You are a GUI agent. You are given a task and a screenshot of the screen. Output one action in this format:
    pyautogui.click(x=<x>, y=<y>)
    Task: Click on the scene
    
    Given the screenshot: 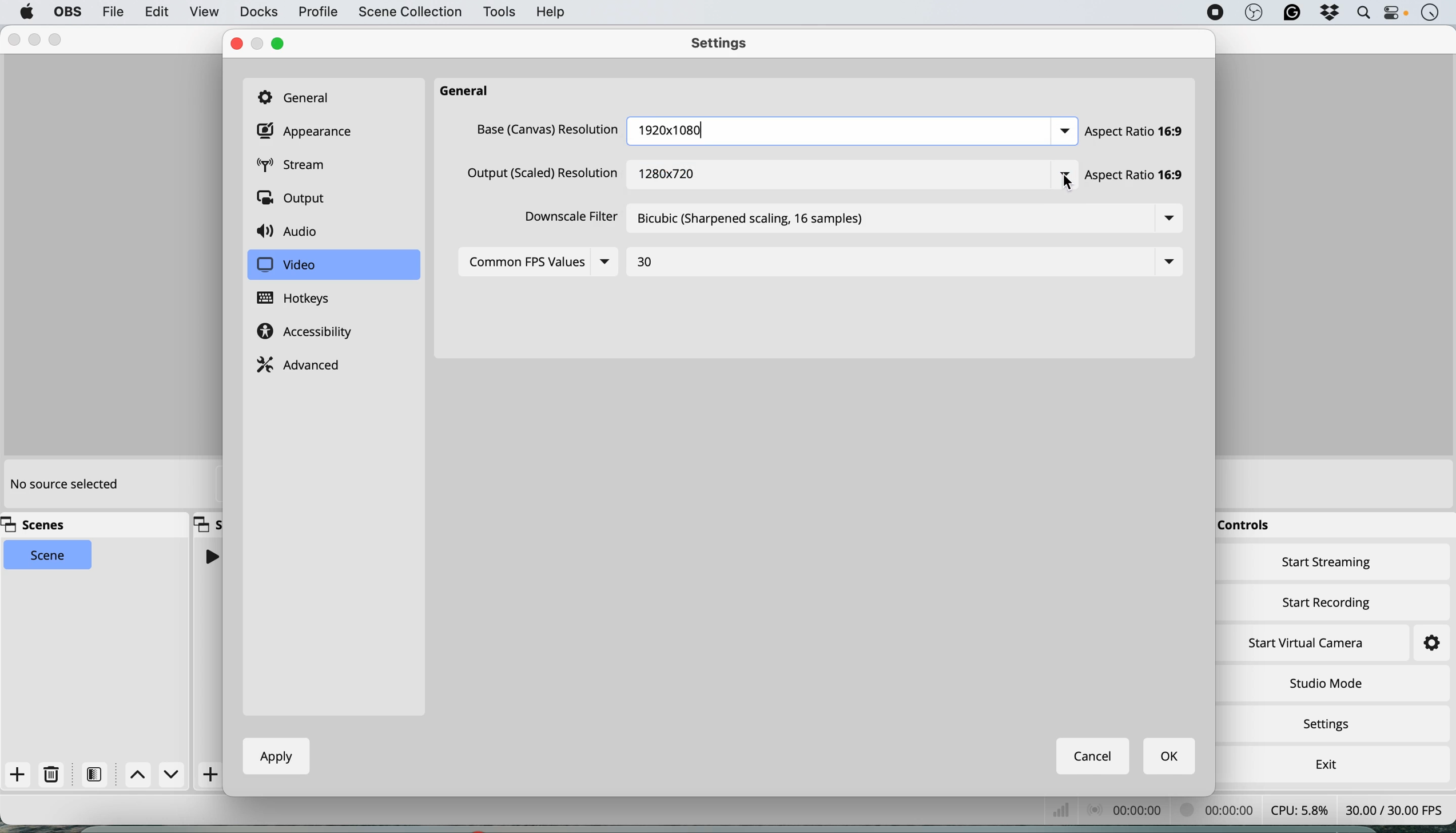 What is the action you would take?
    pyautogui.click(x=49, y=556)
    